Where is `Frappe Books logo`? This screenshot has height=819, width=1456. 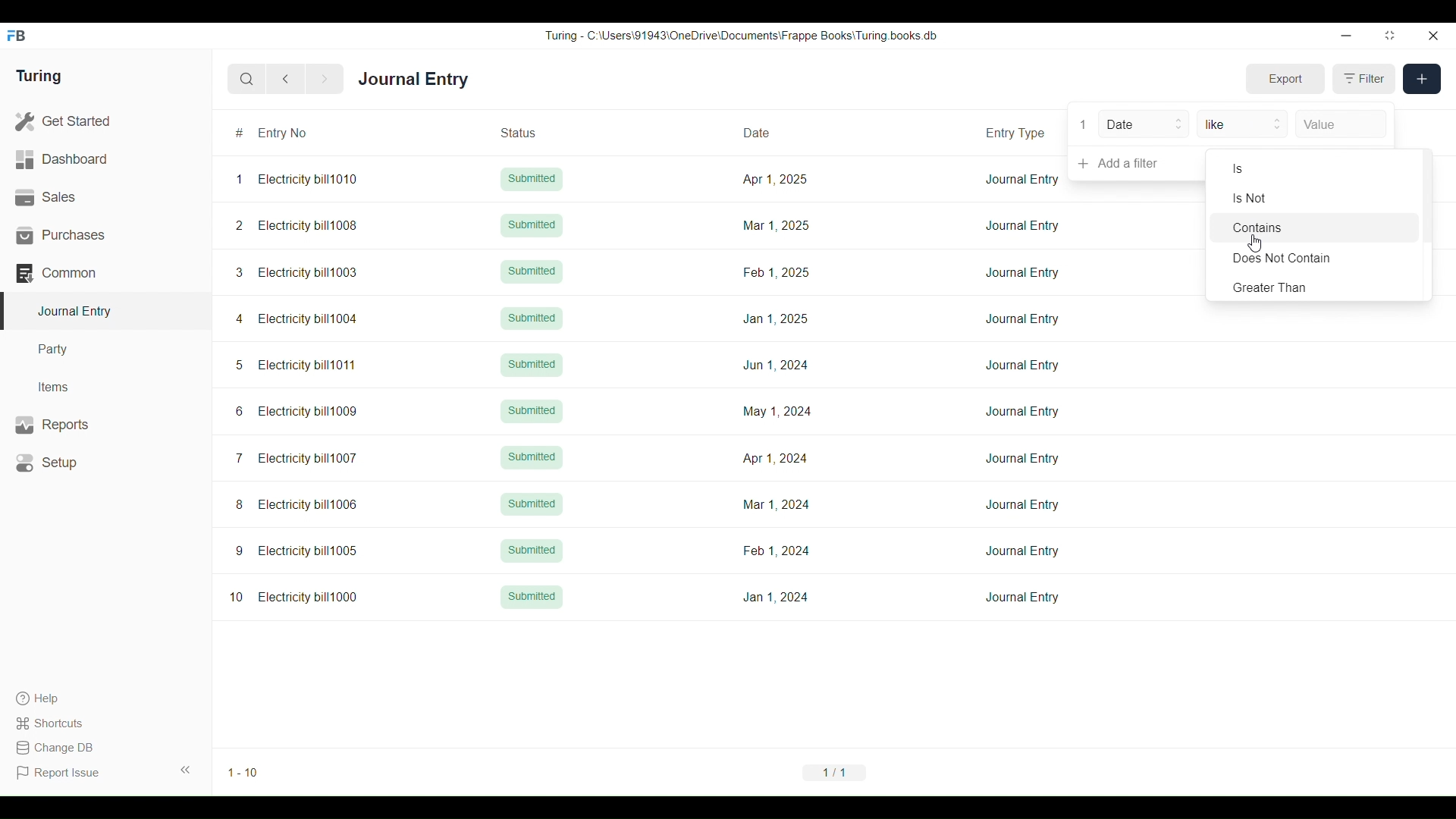 Frappe Books logo is located at coordinates (15, 36).